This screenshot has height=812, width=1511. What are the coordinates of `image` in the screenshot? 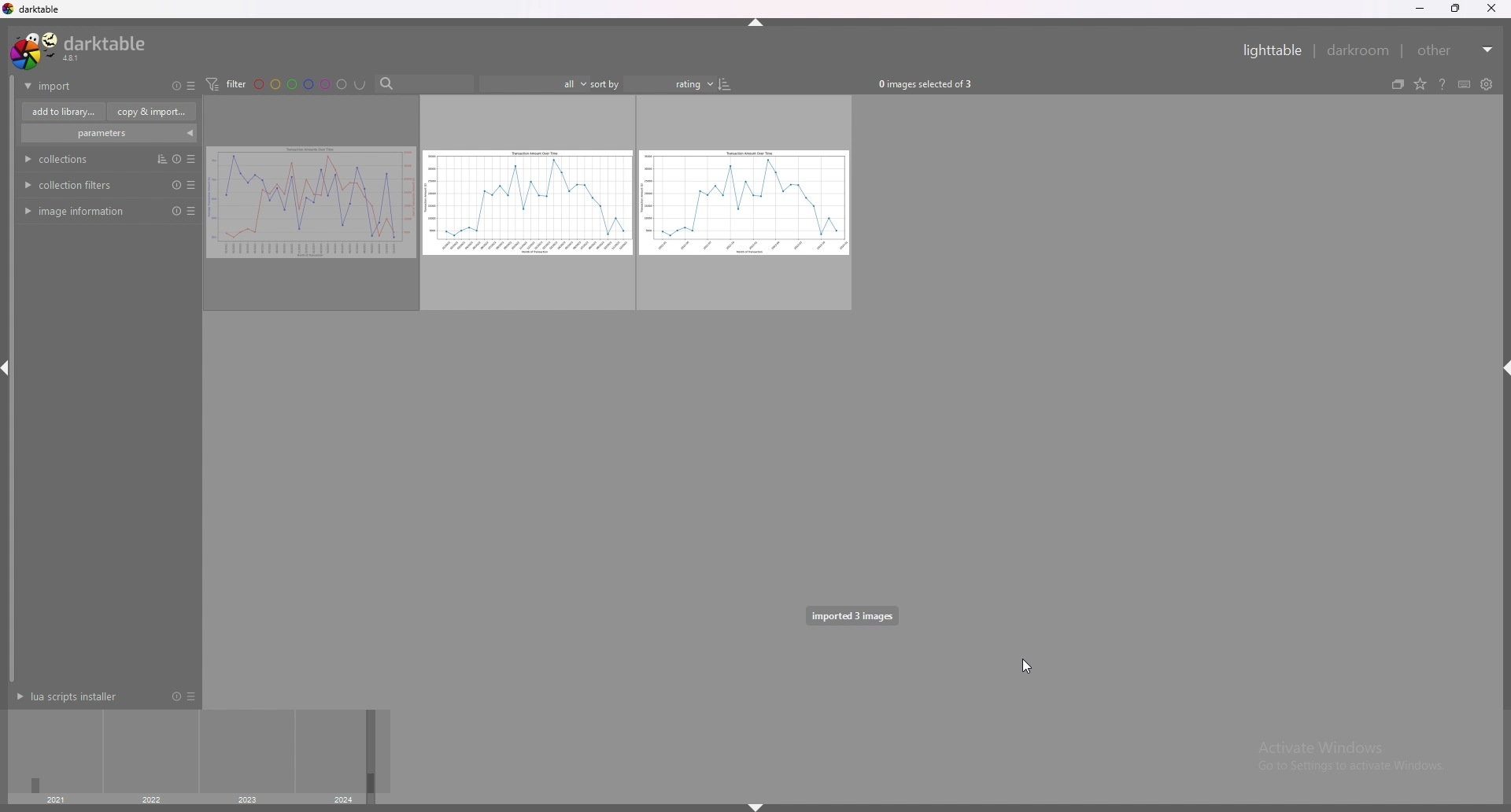 It's located at (746, 203).